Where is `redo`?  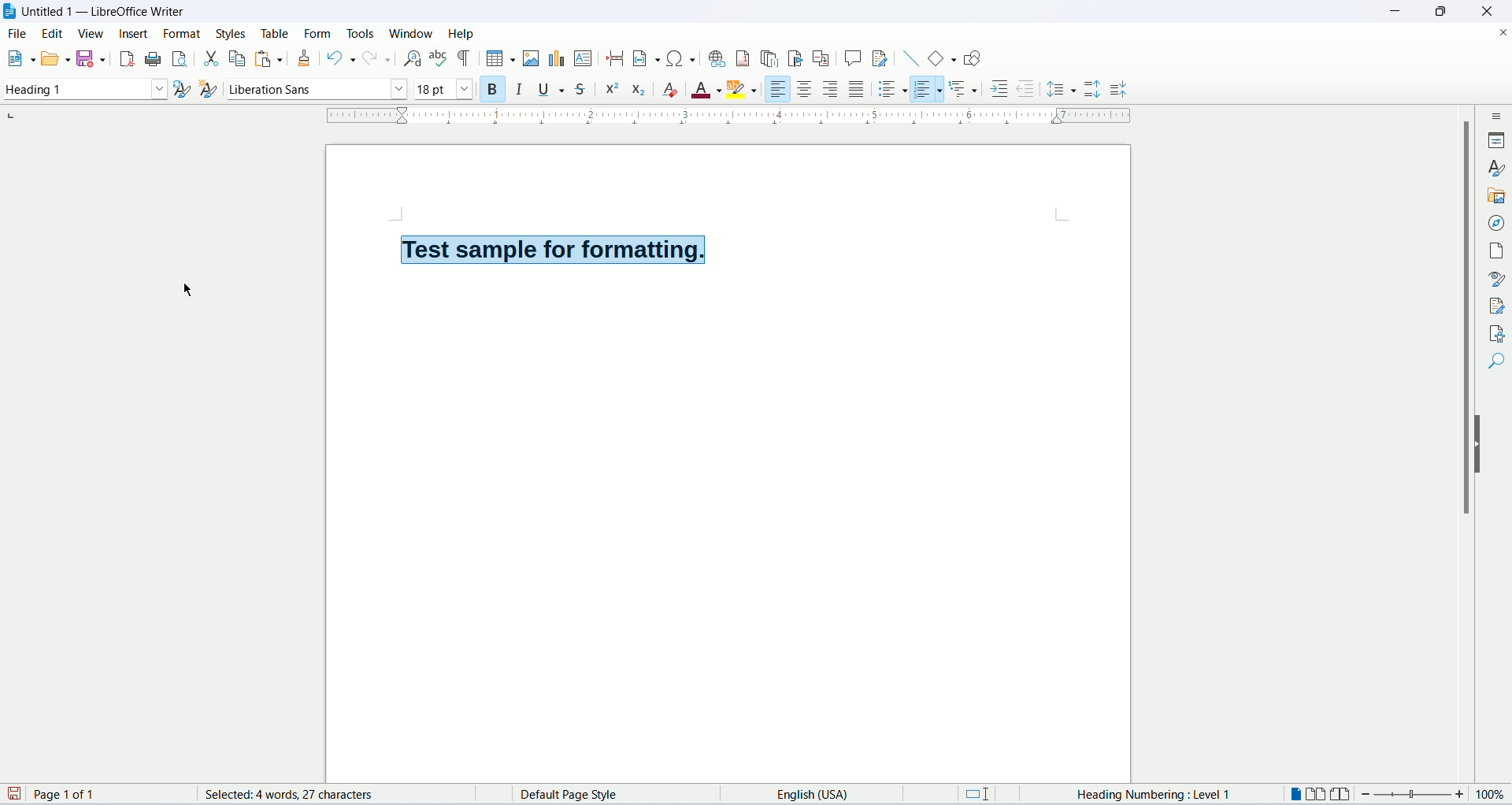 redo is located at coordinates (376, 60).